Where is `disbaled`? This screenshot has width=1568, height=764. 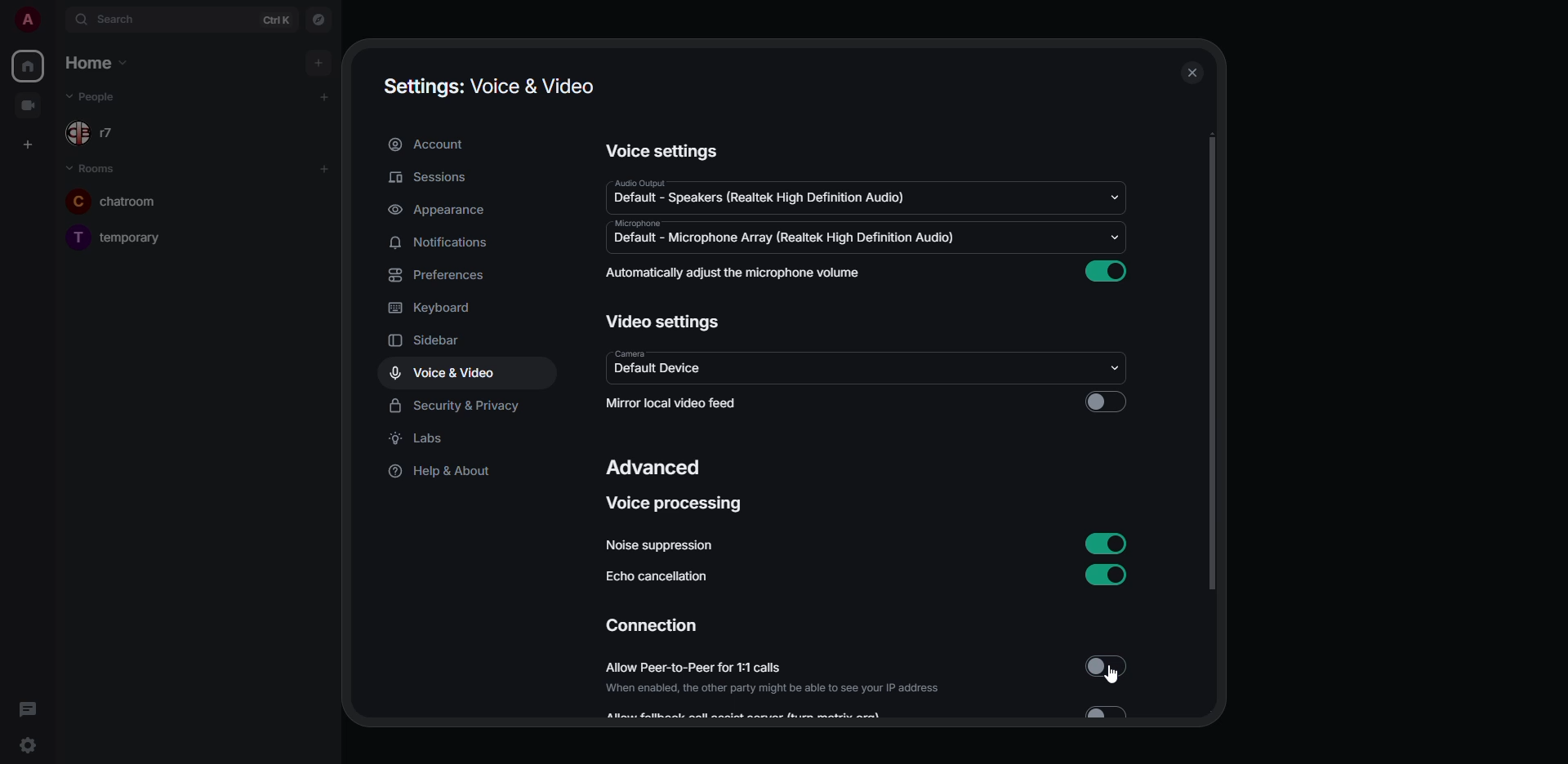
disbaled is located at coordinates (1105, 668).